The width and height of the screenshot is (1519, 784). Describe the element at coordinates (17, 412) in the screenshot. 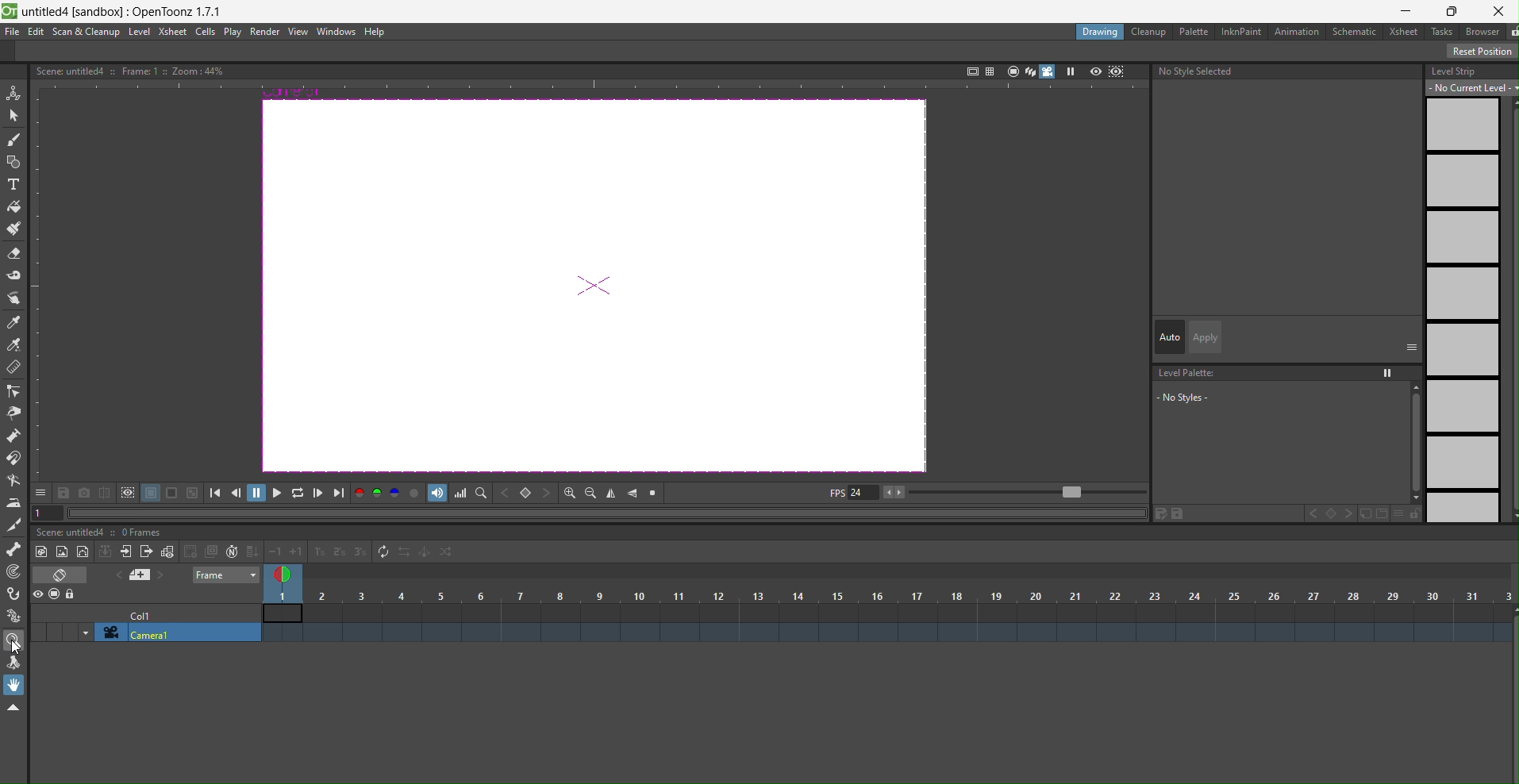

I see `pinch tool` at that location.